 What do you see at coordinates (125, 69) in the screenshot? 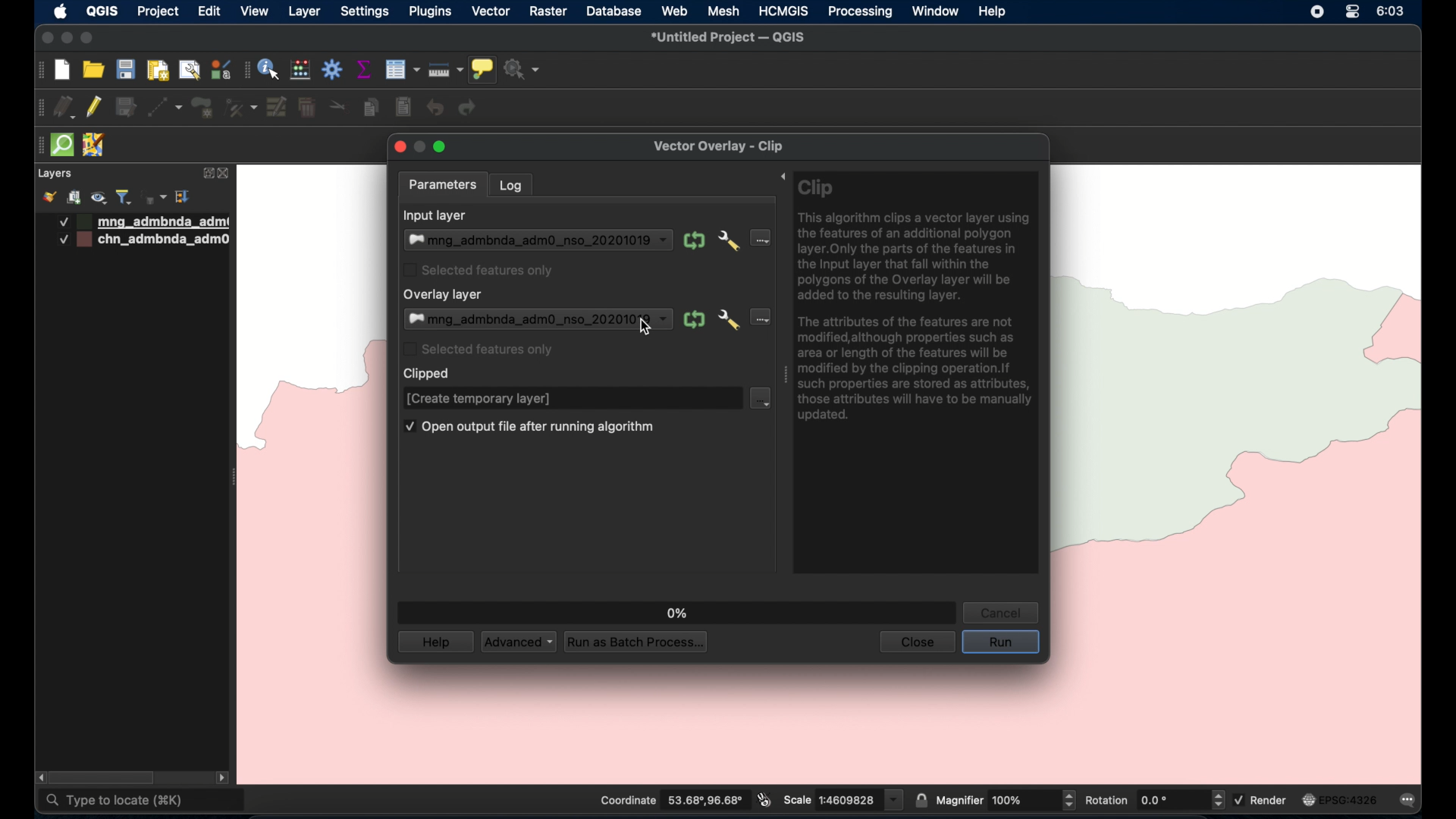
I see `save project` at bounding box center [125, 69].